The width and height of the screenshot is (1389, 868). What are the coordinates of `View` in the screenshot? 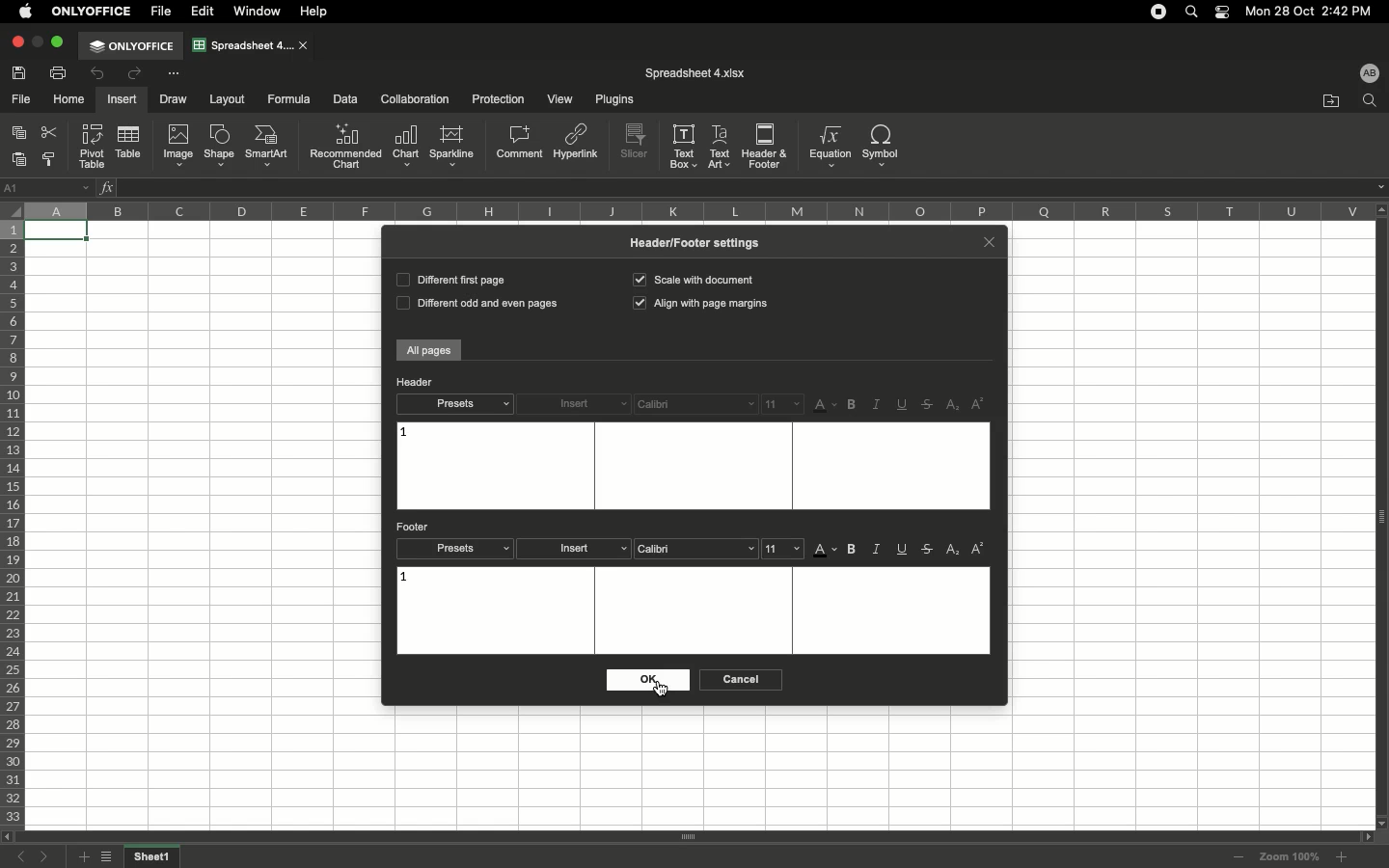 It's located at (558, 100).